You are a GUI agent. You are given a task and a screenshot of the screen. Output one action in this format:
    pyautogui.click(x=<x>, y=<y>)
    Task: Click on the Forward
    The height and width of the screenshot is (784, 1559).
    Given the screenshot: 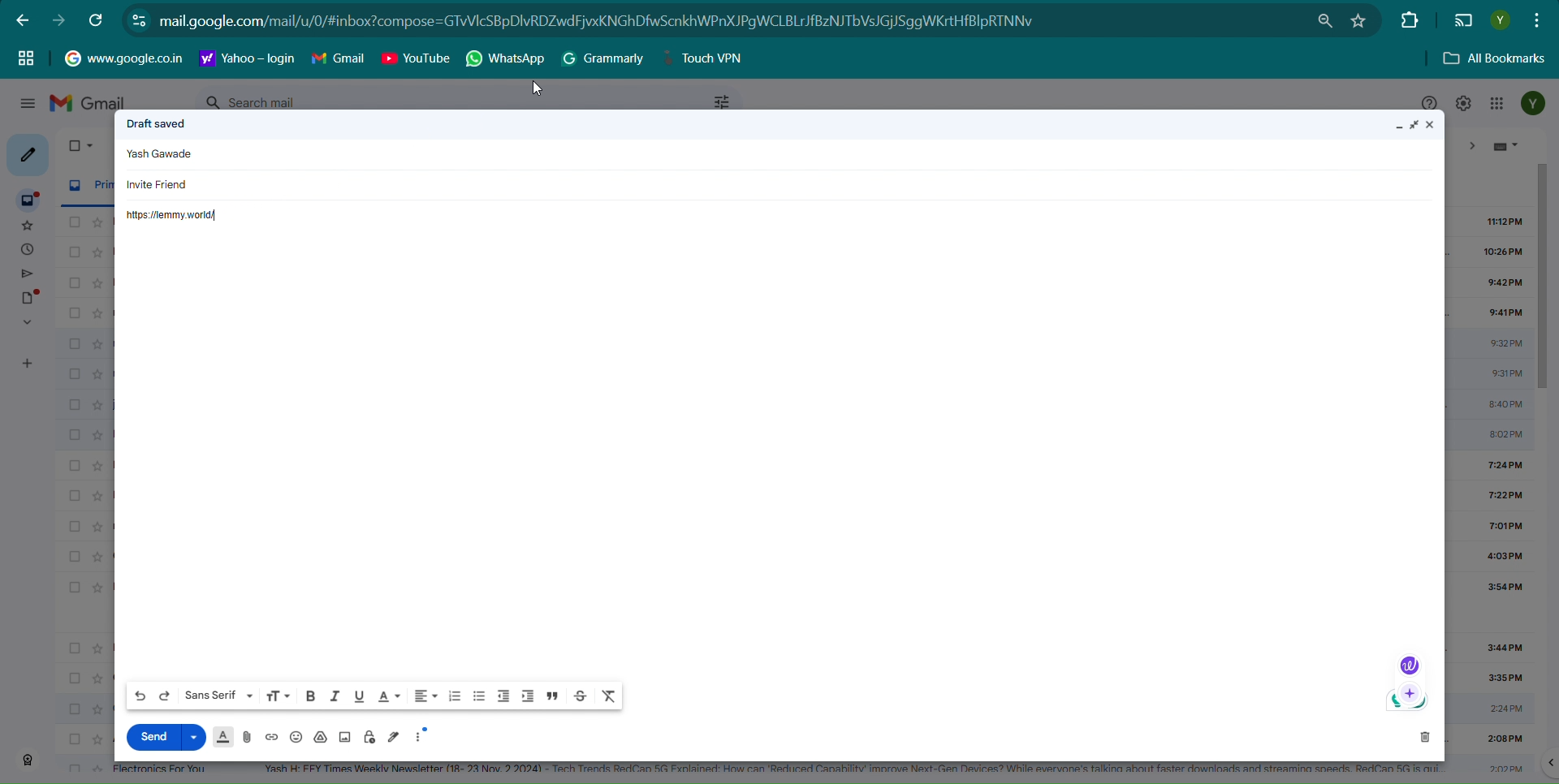 What is the action you would take?
    pyautogui.click(x=58, y=20)
    